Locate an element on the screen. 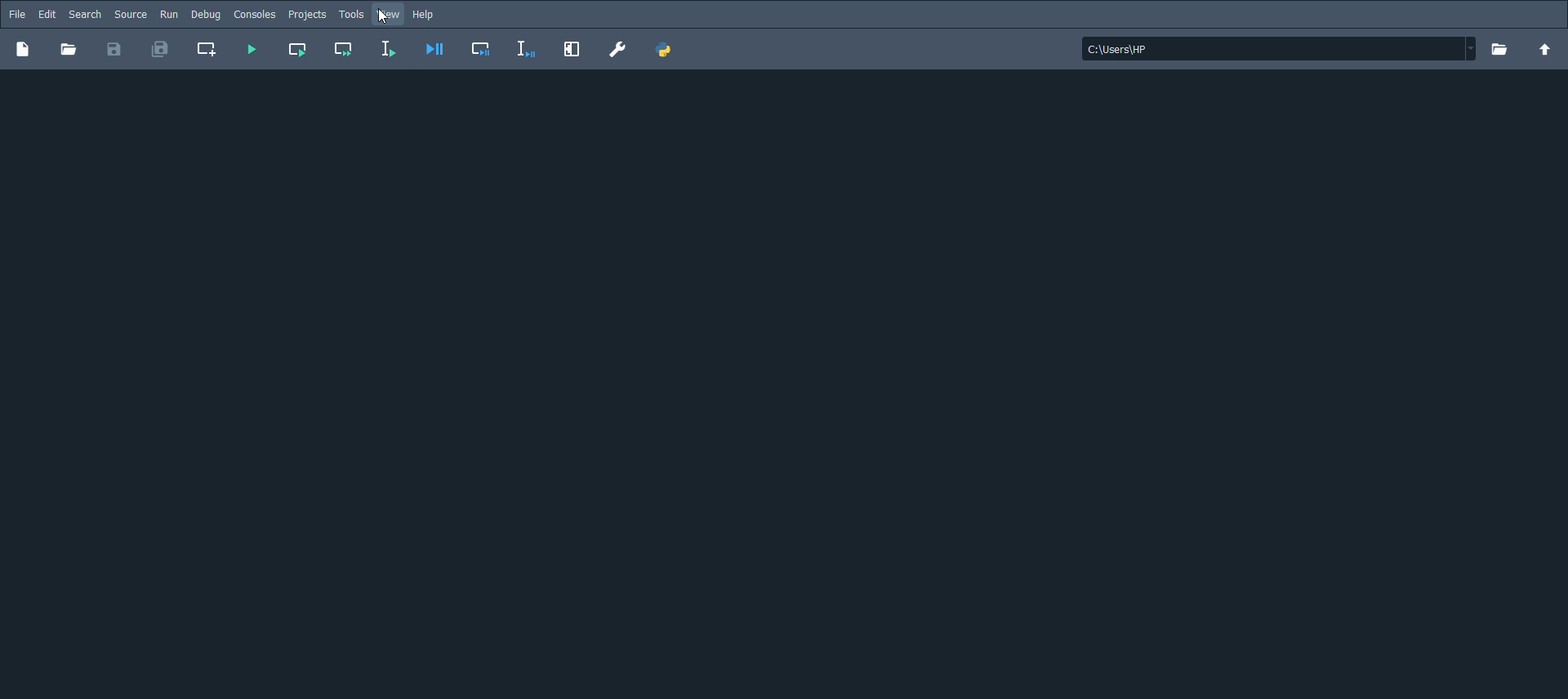 The height and width of the screenshot is (699, 1568). Change to parent directory is located at coordinates (1546, 48).